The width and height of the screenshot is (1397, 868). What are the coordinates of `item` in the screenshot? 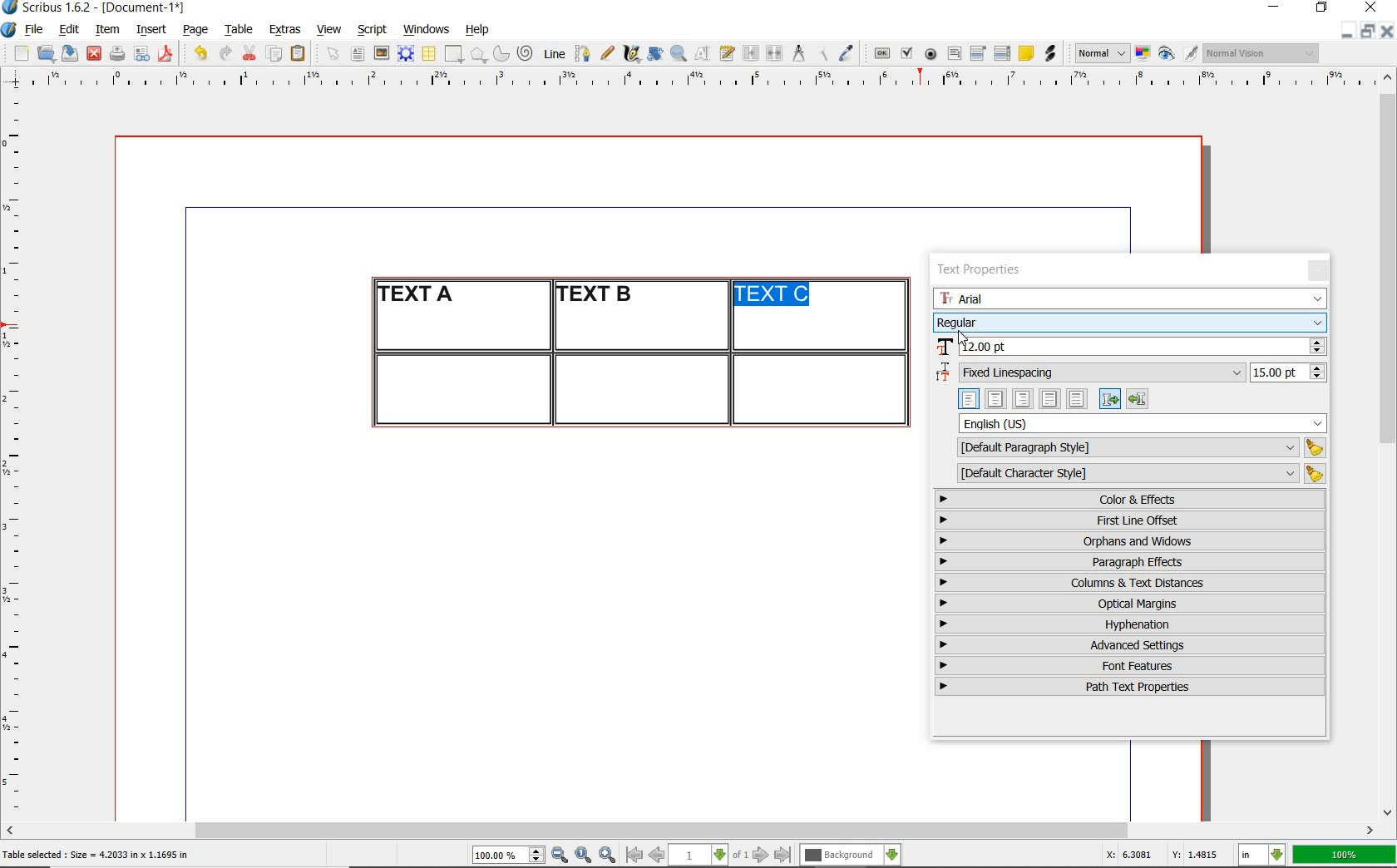 It's located at (106, 30).